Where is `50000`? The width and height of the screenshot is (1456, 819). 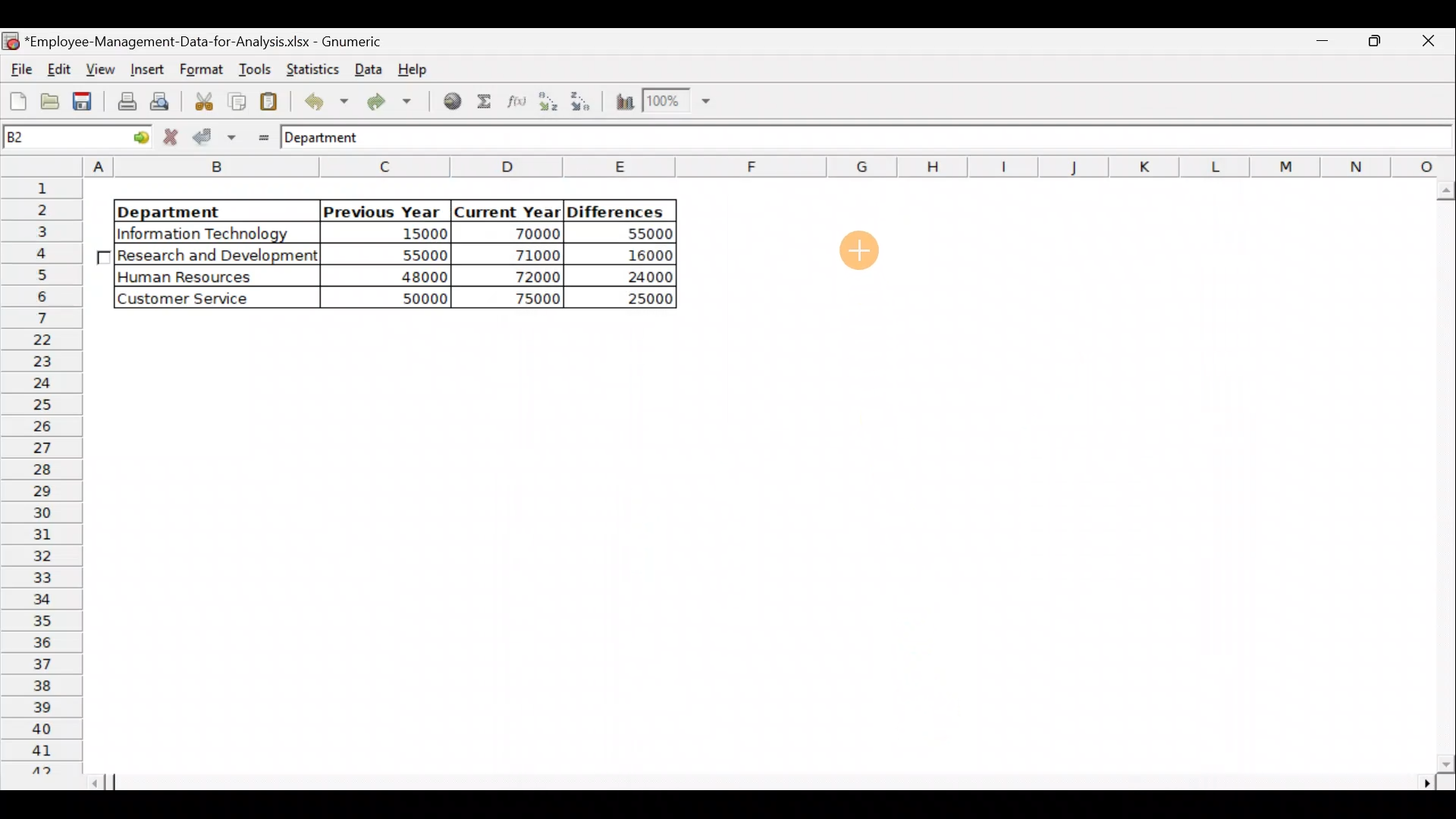
50000 is located at coordinates (402, 297).